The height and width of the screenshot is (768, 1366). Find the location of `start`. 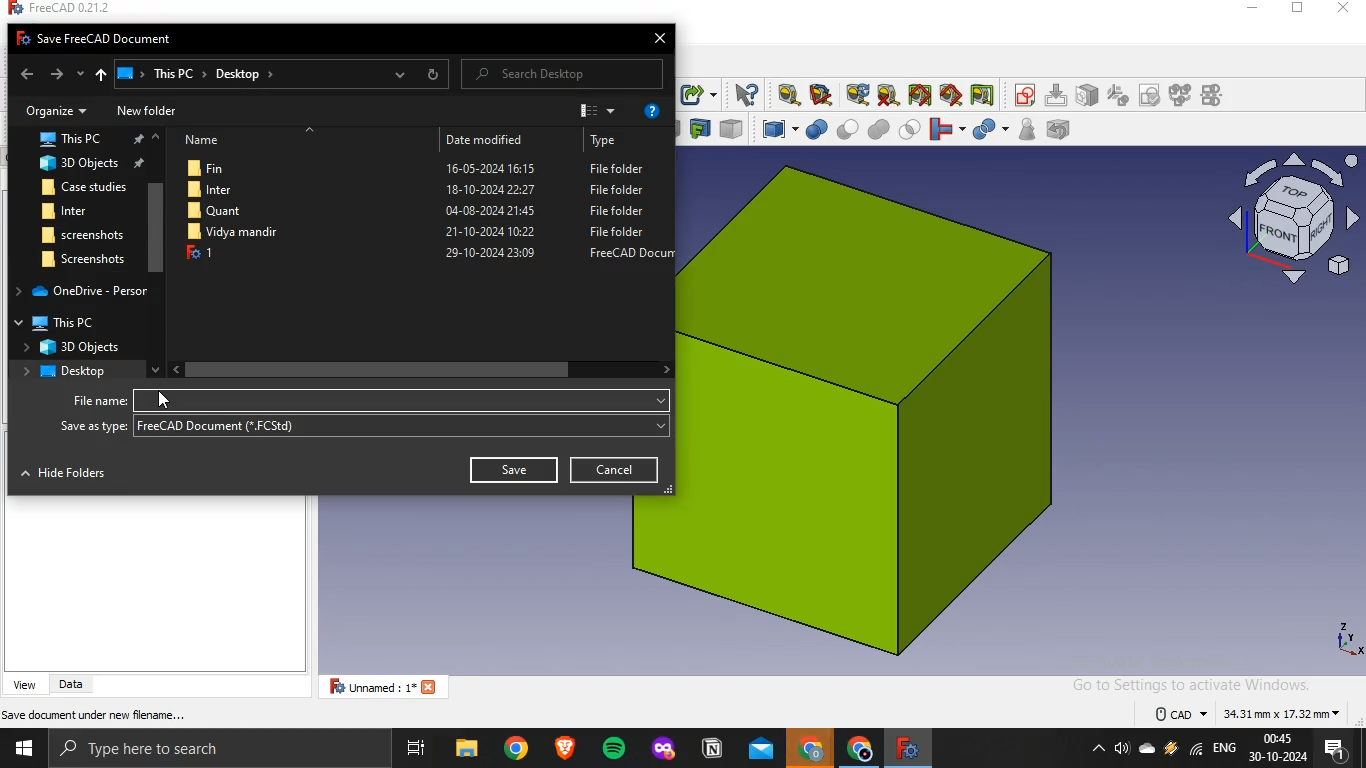

start is located at coordinates (20, 751).